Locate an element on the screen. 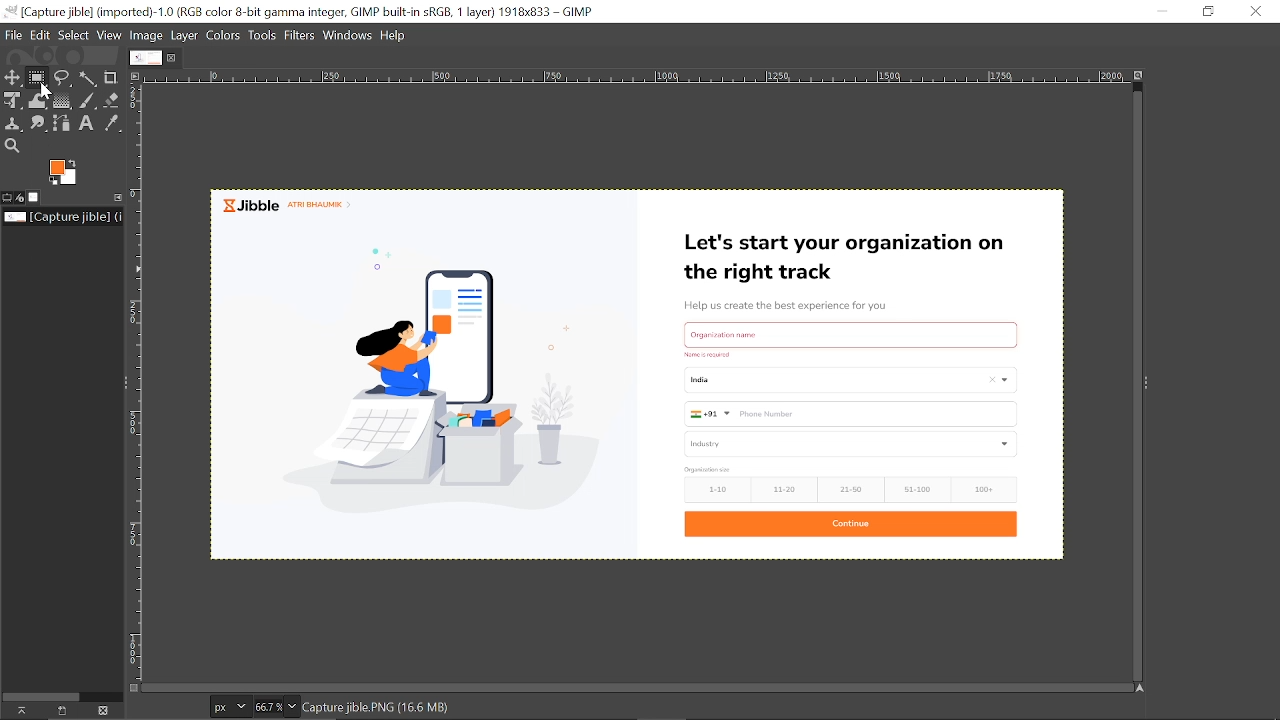 Image resolution: width=1280 pixels, height=720 pixels. Fuzzy select tool is located at coordinates (91, 78).